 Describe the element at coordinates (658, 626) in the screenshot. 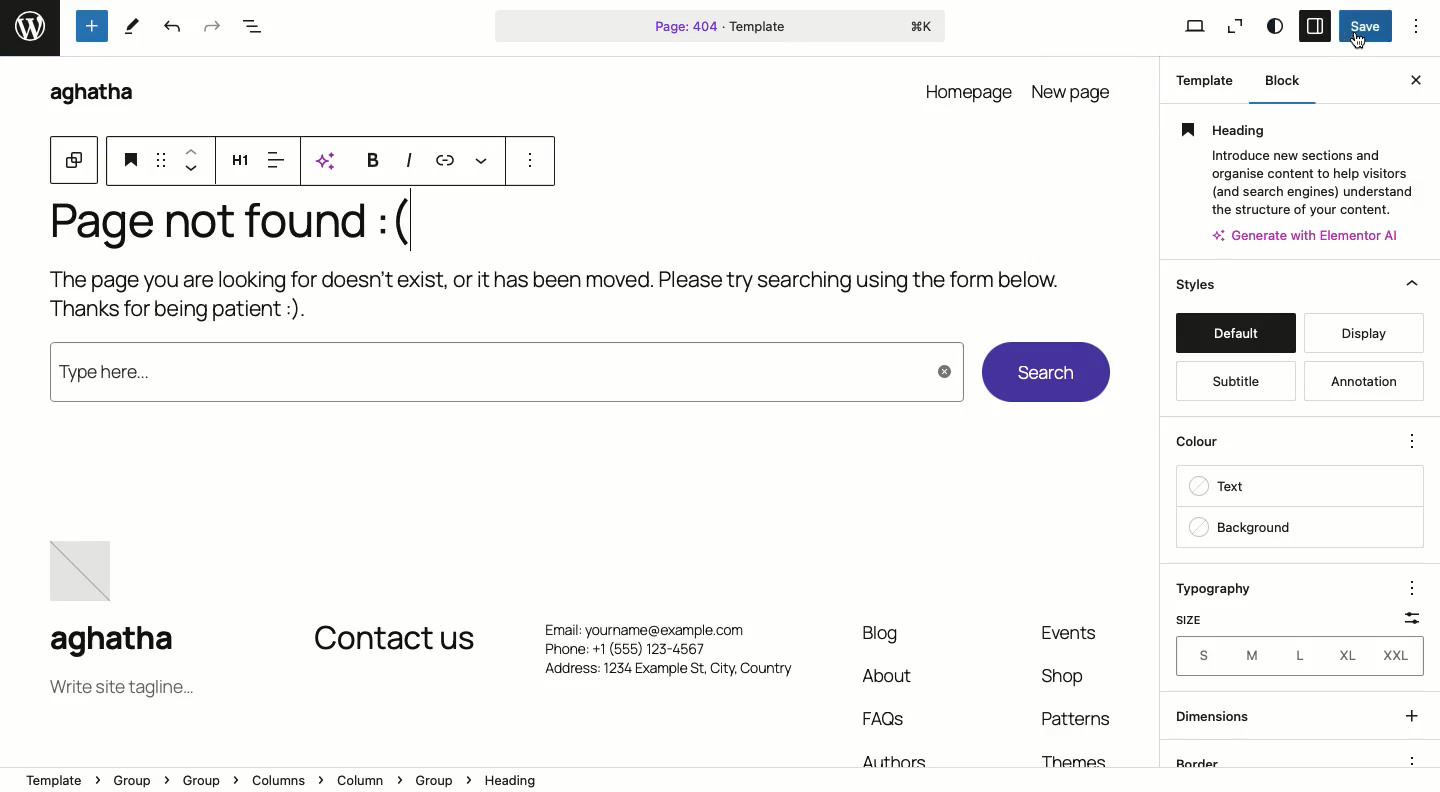

I see `Email: yourname@example.com` at that location.